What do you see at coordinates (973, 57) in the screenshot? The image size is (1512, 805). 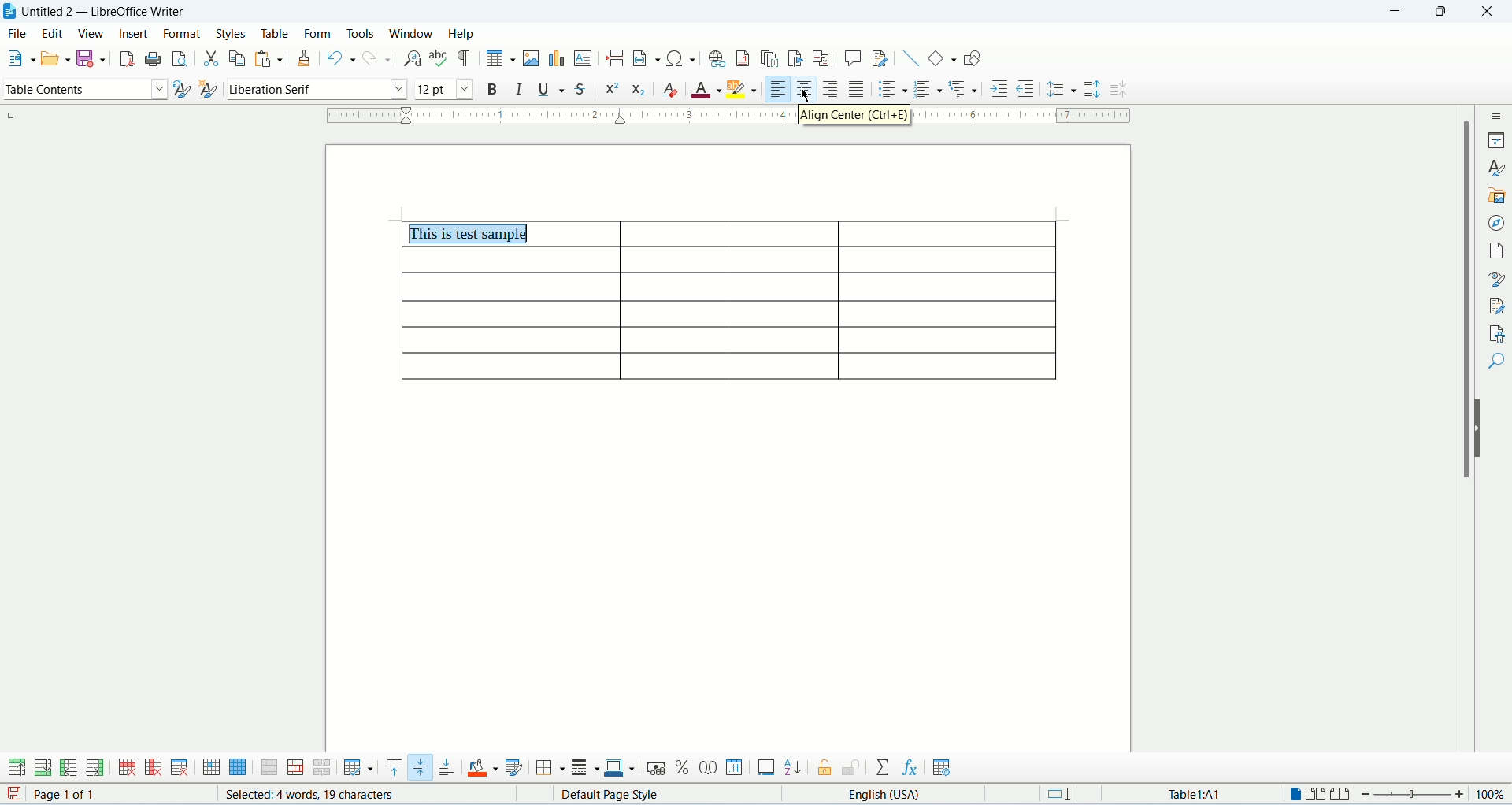 I see `draw functions` at bounding box center [973, 57].